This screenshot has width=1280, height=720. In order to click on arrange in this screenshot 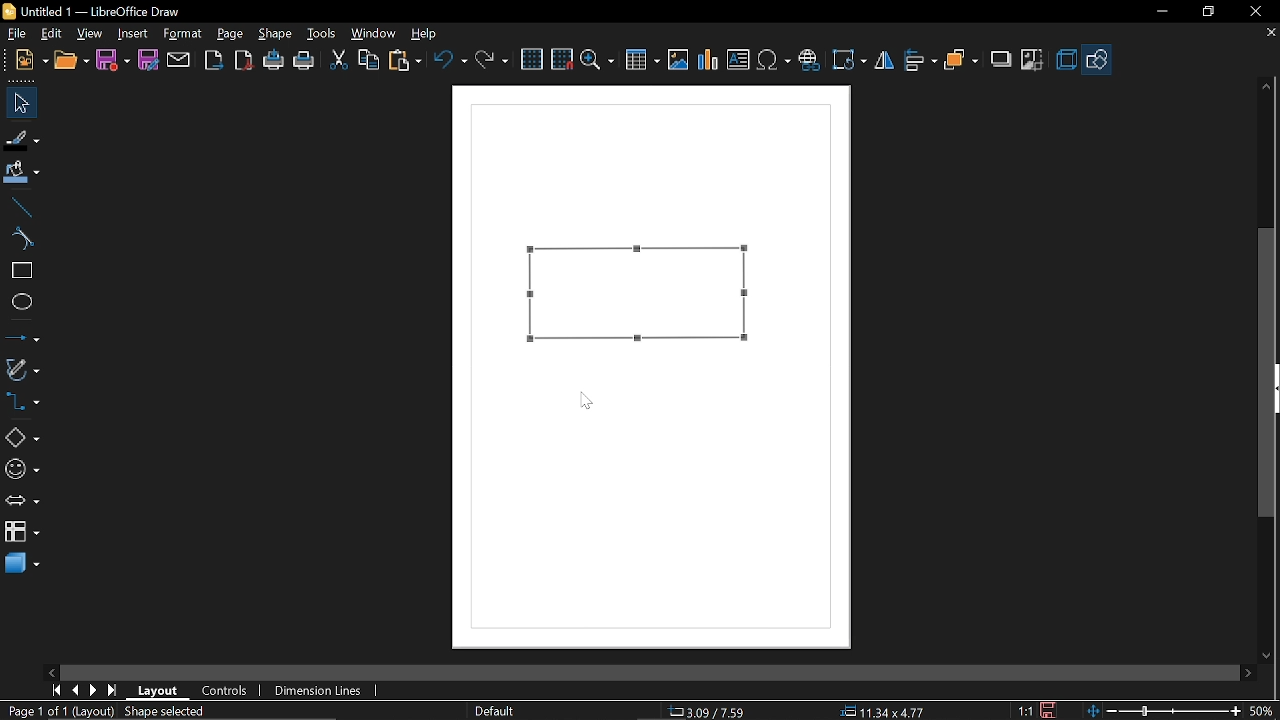, I will do `click(962, 60)`.